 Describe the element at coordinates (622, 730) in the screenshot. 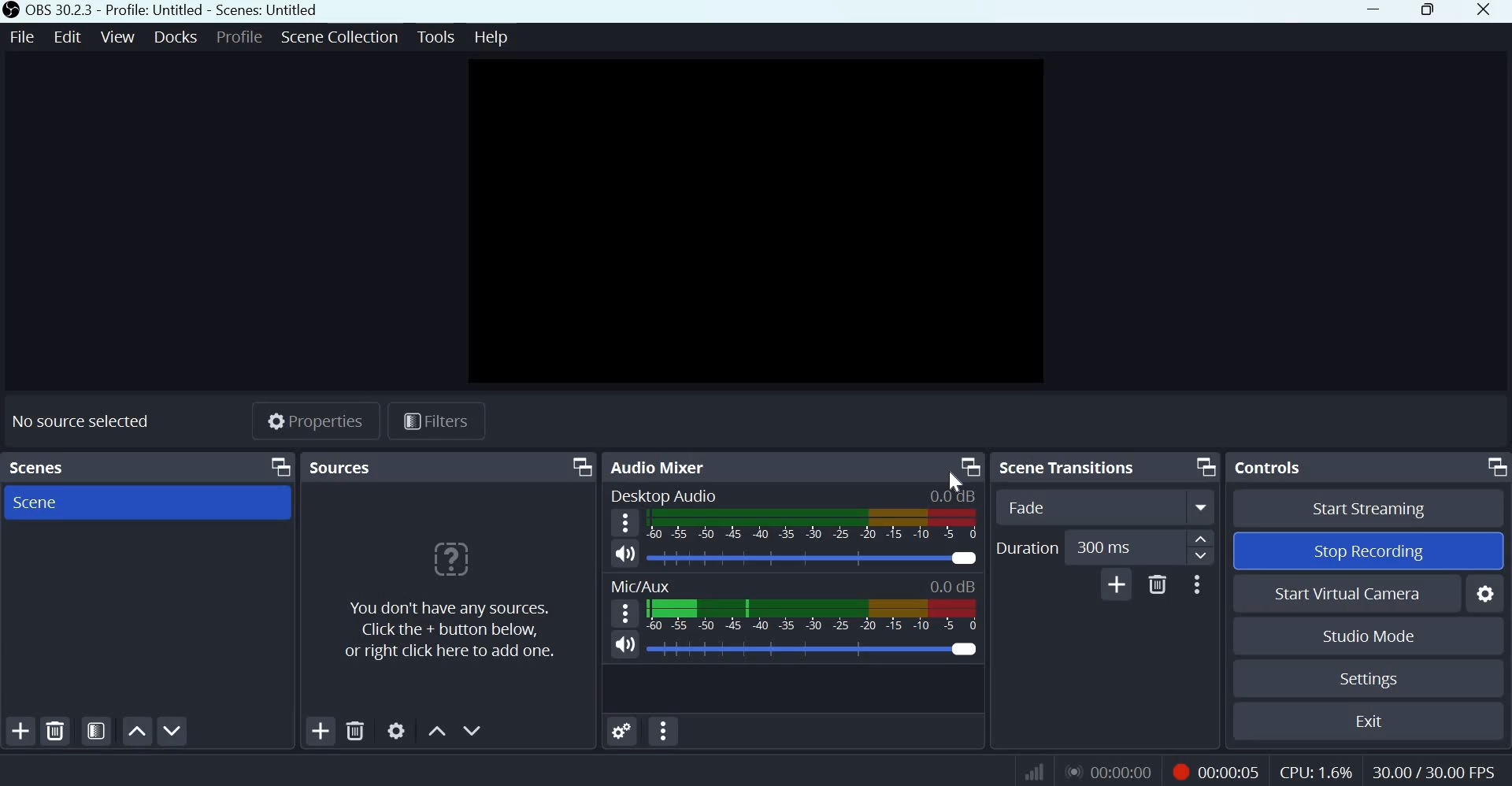

I see `Advanced Audio Properties` at that location.